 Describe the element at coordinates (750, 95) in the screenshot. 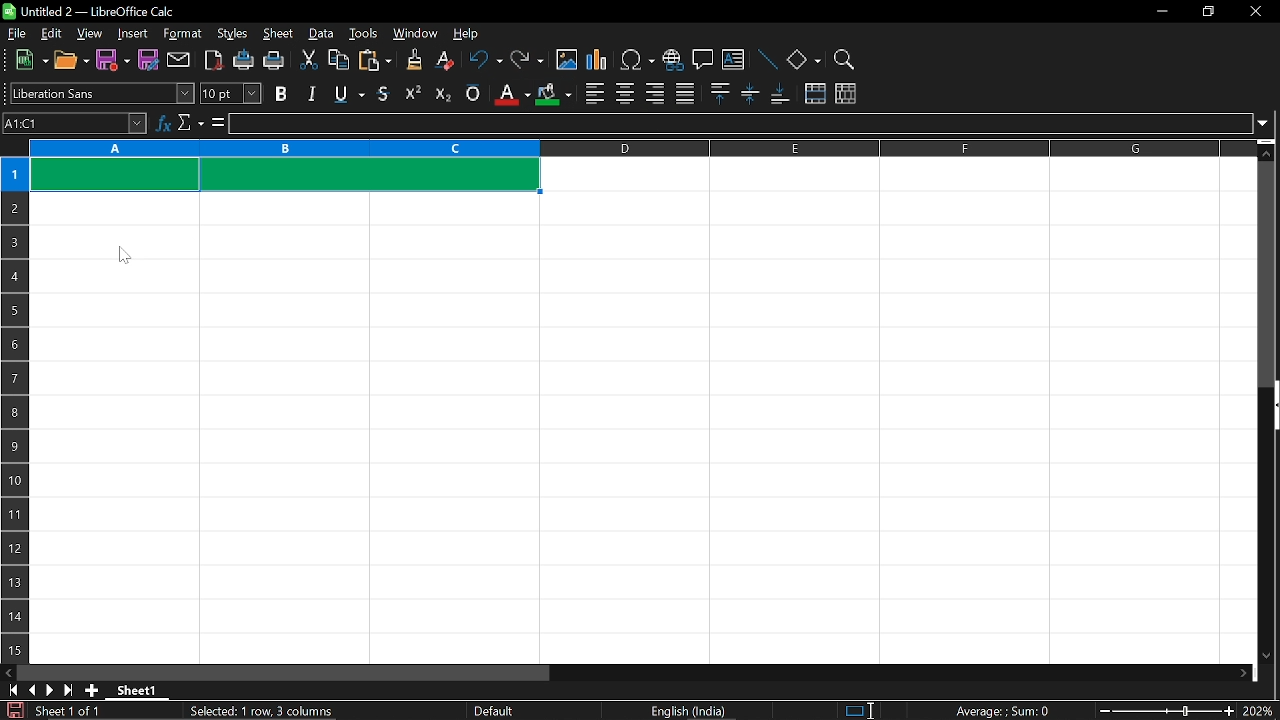

I see `center vertically` at that location.